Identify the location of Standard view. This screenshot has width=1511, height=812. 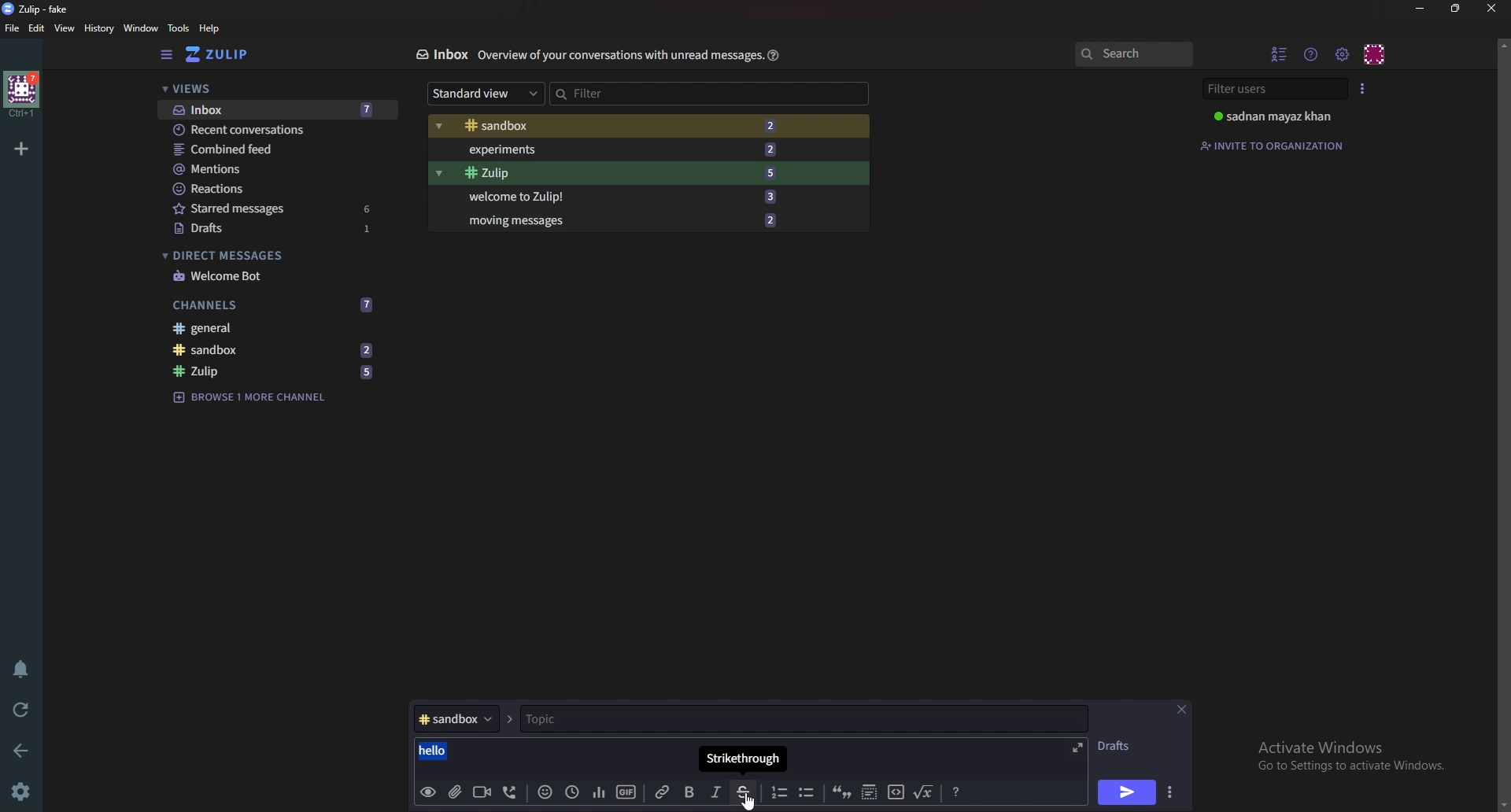
(486, 93).